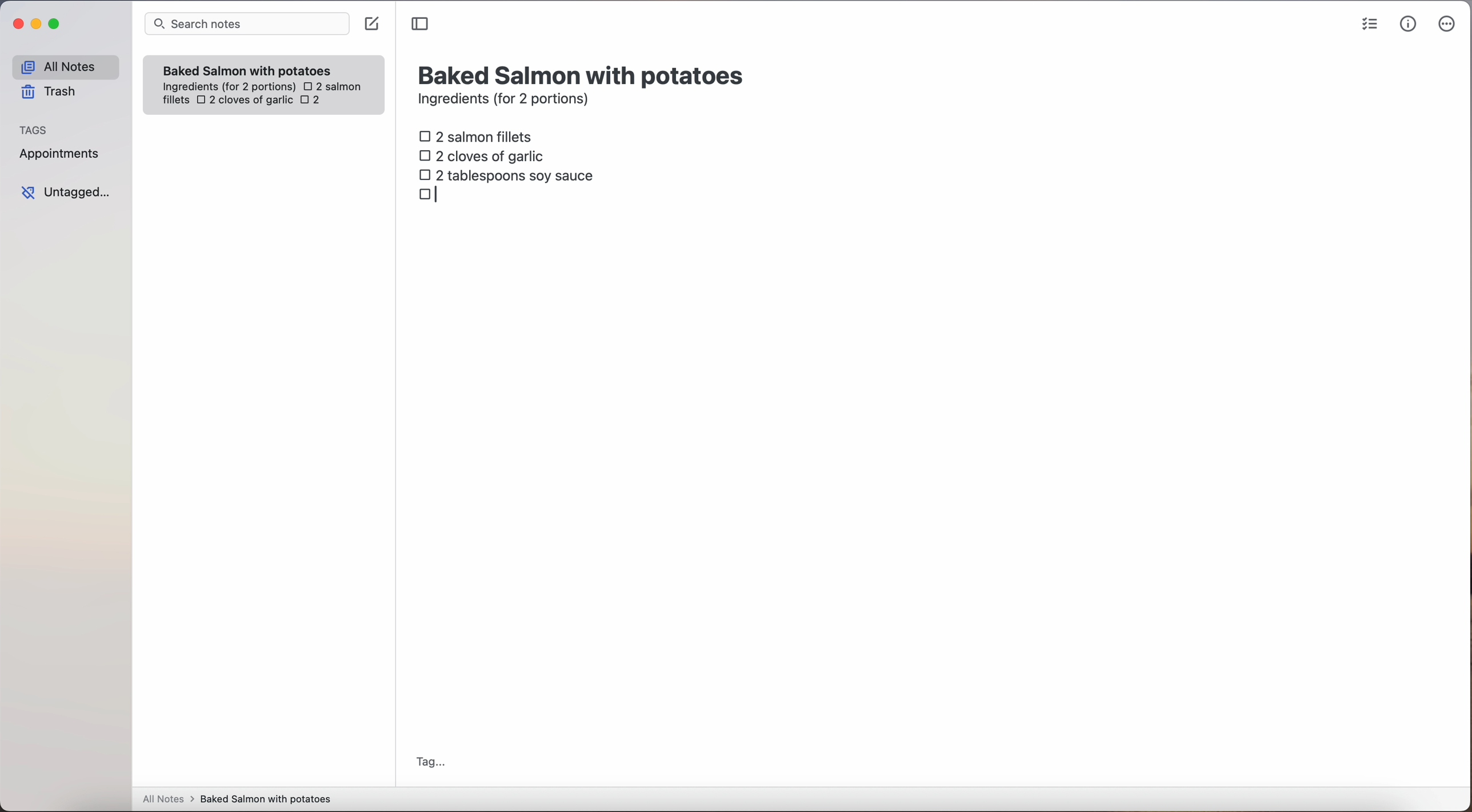 Image resolution: width=1472 pixels, height=812 pixels. Describe the element at coordinates (371, 24) in the screenshot. I see `create note` at that location.